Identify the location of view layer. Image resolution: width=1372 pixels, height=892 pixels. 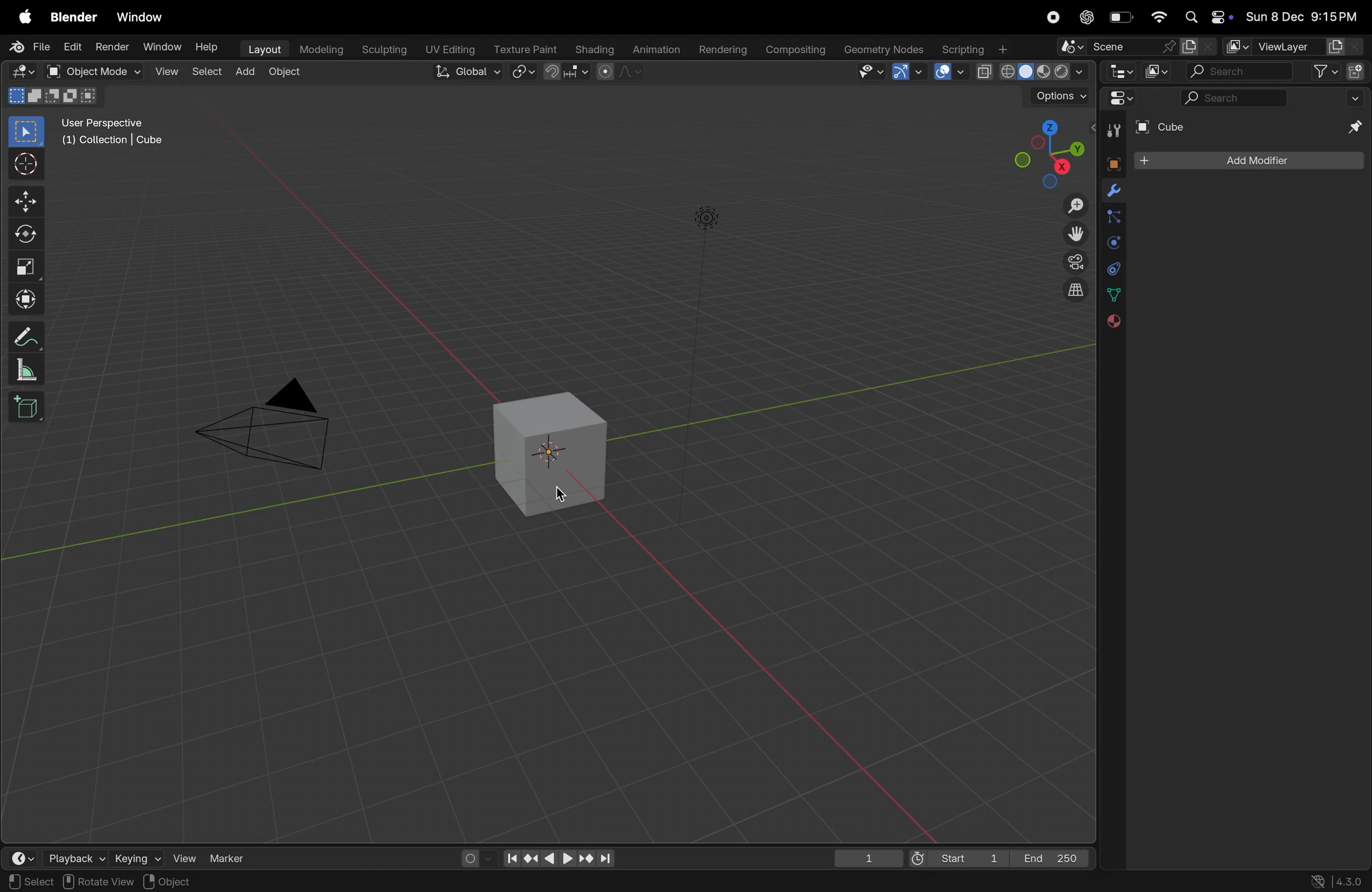
(1291, 47).